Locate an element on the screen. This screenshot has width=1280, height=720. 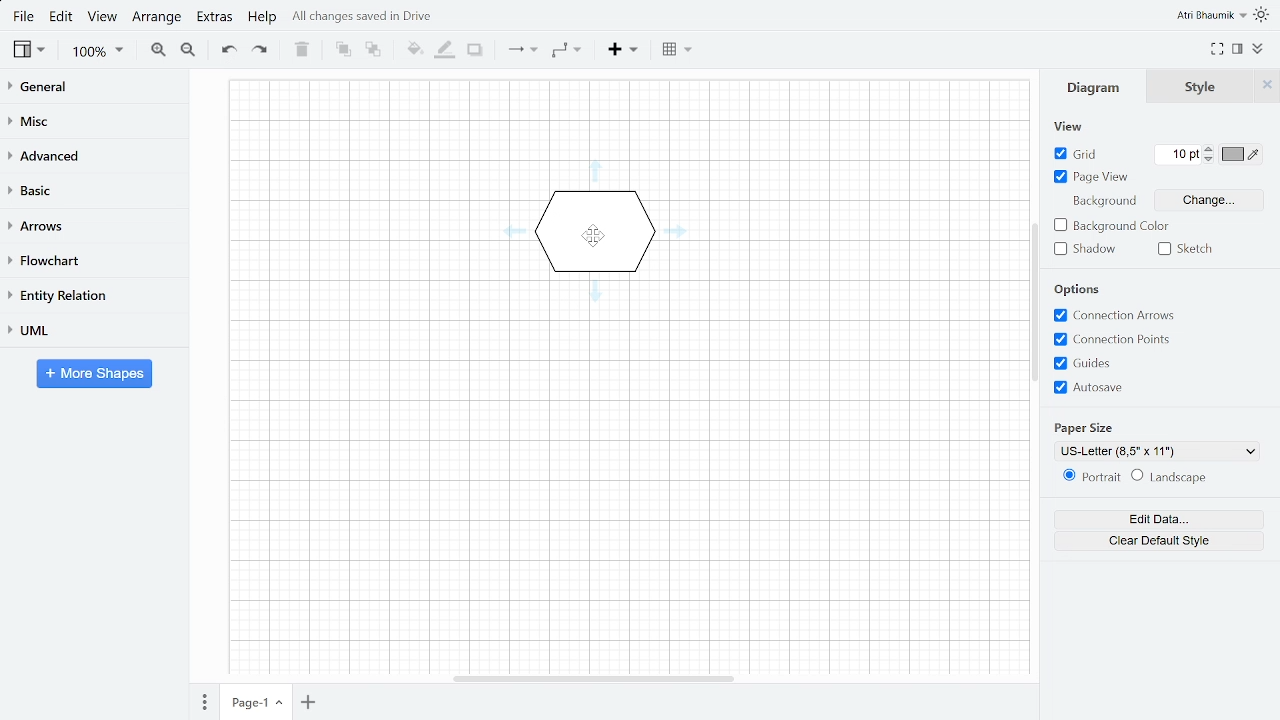
View is located at coordinates (100, 17).